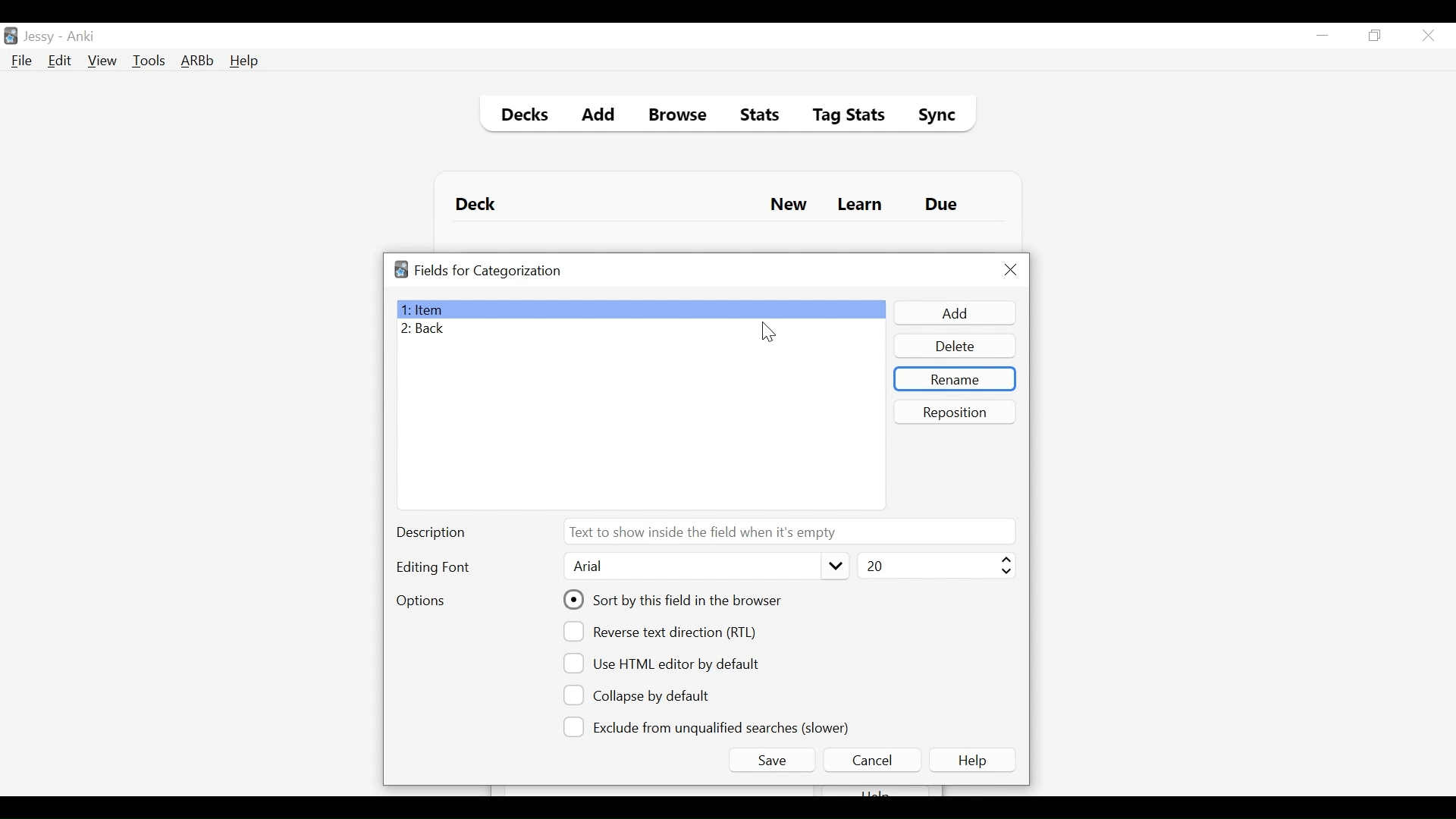  I want to click on Advanced Review Button bar, so click(198, 61).